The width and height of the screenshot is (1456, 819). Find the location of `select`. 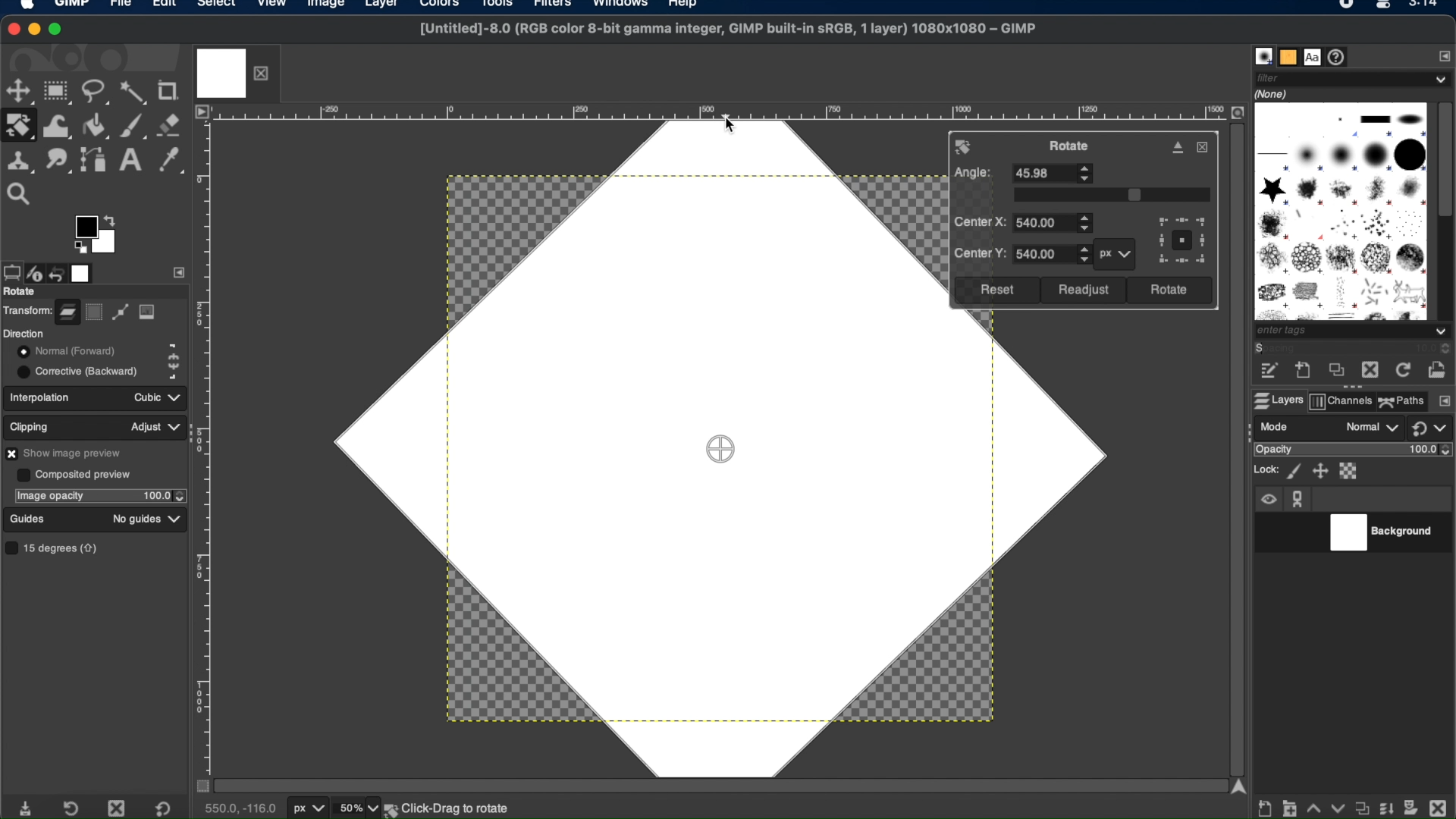

select is located at coordinates (216, 6).